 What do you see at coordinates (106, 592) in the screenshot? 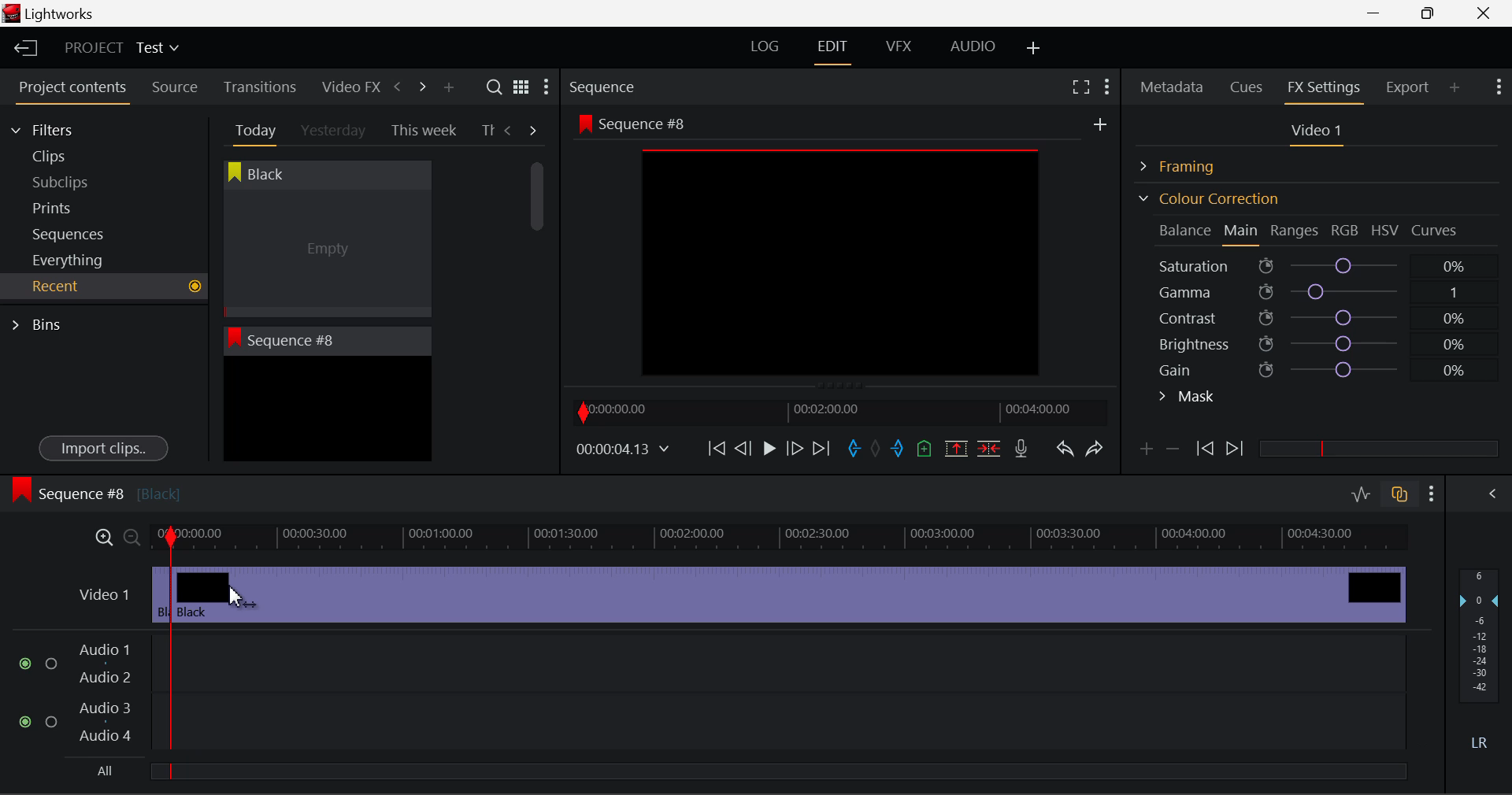
I see `Video 1` at bounding box center [106, 592].